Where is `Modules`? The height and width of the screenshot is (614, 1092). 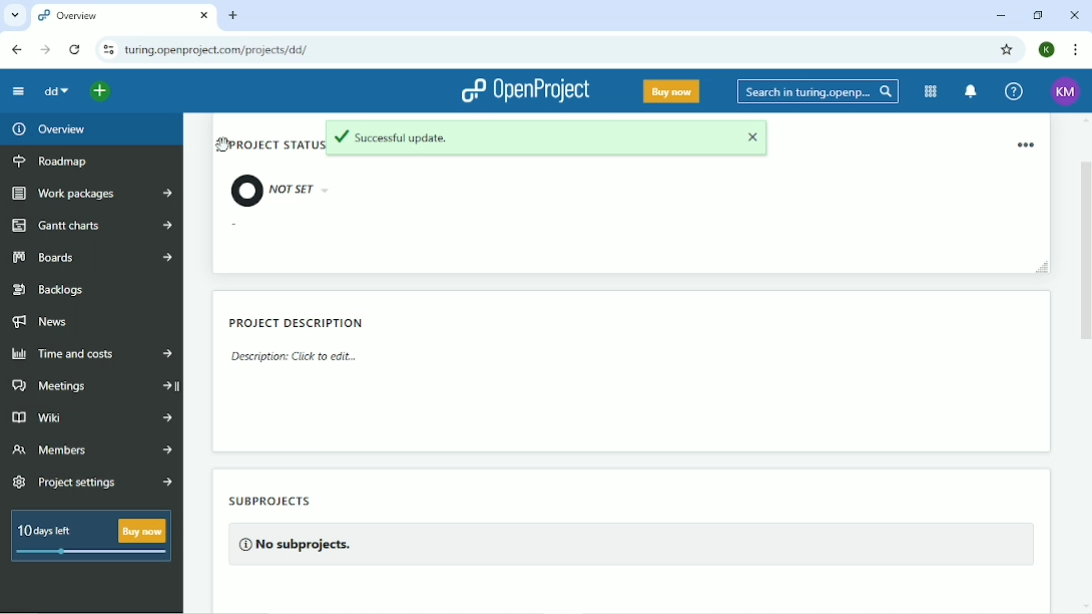 Modules is located at coordinates (931, 92).